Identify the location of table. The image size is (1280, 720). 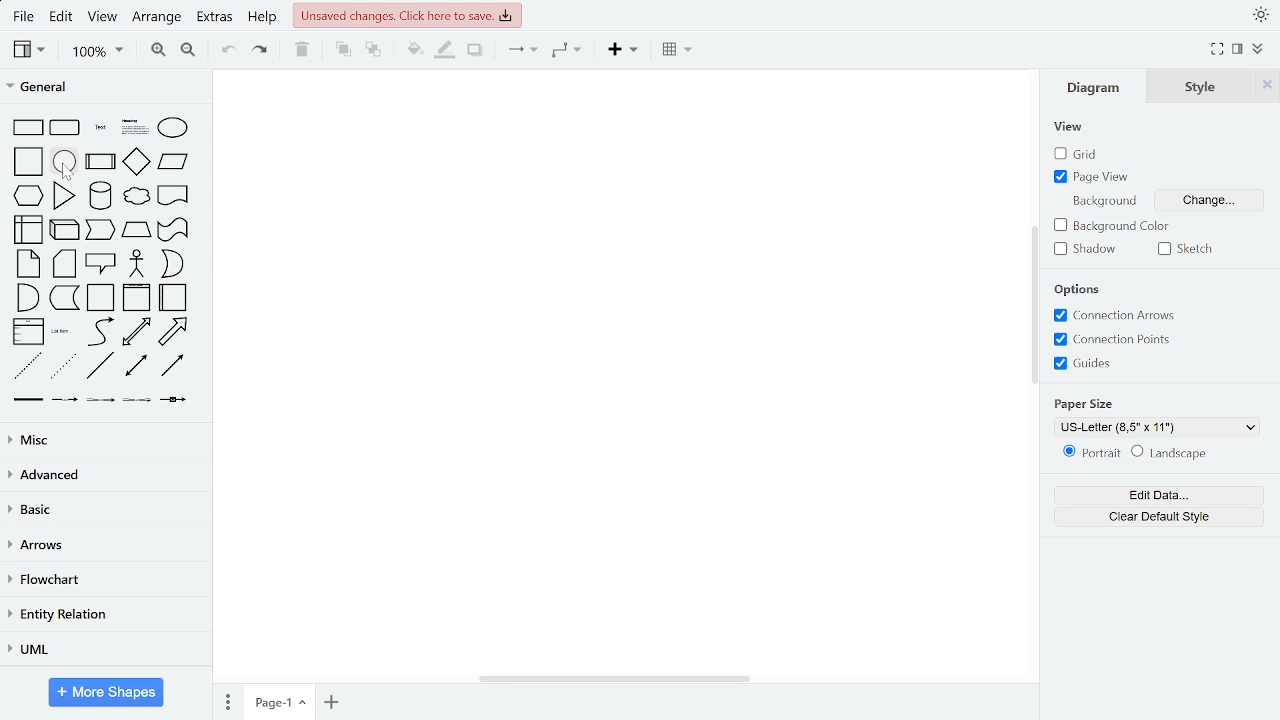
(678, 51).